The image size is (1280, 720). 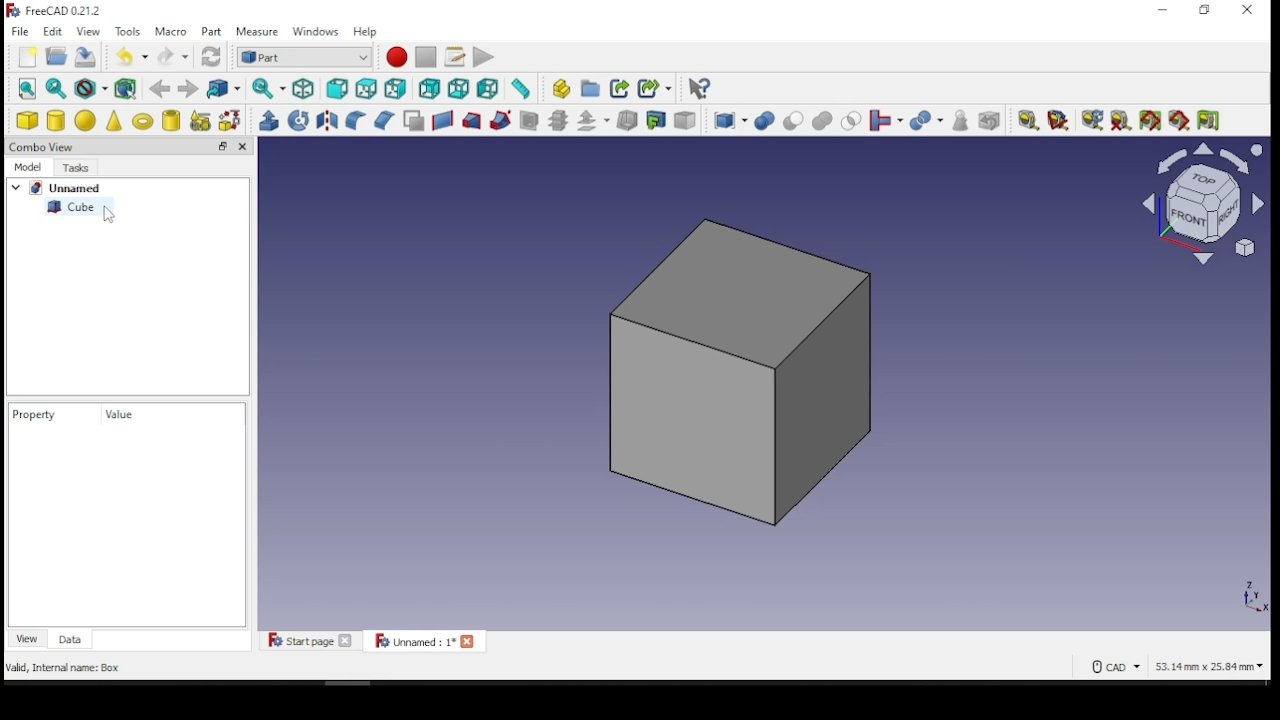 What do you see at coordinates (559, 89) in the screenshot?
I see `create part` at bounding box center [559, 89].